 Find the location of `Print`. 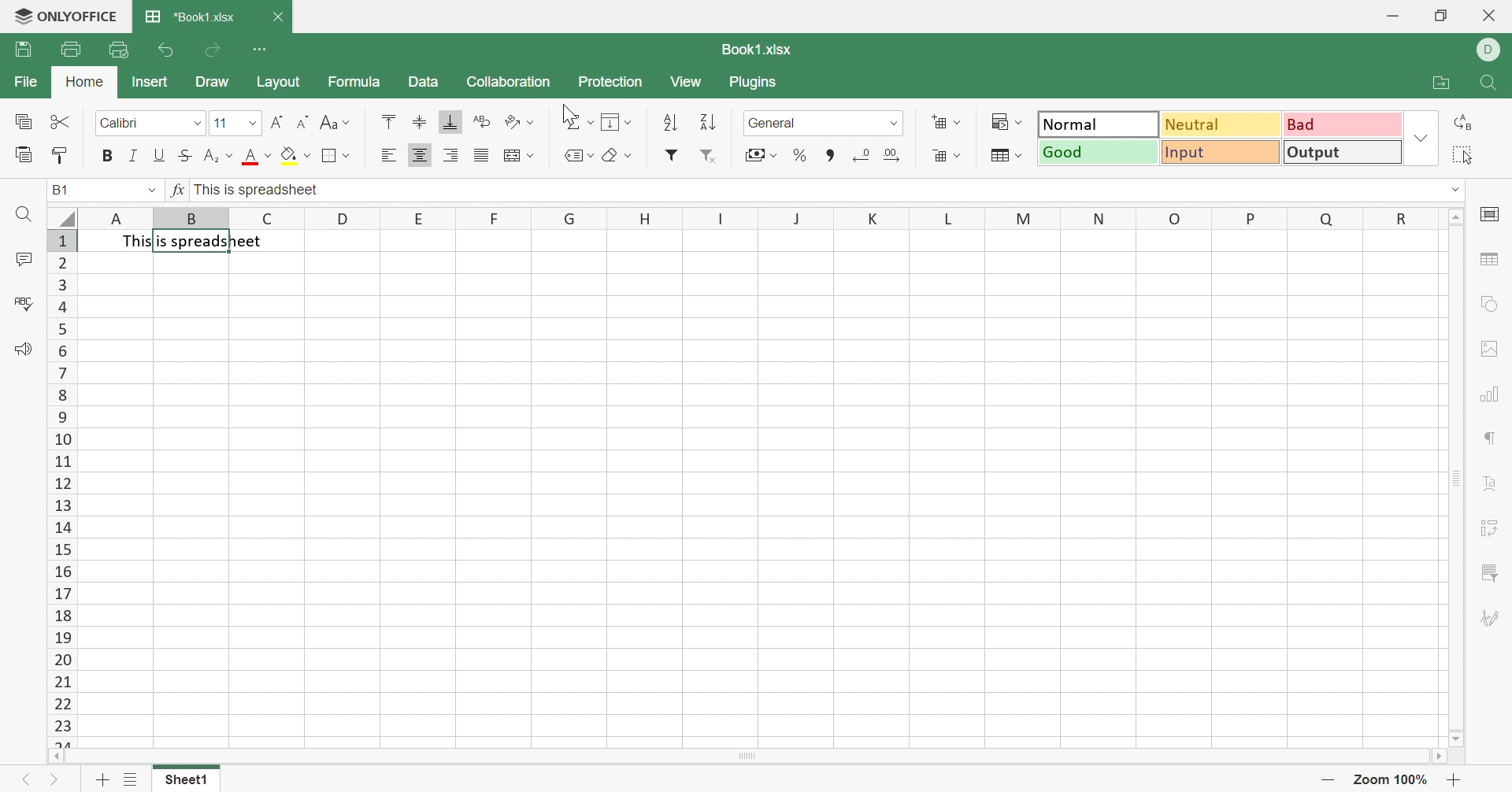

Print is located at coordinates (70, 48).